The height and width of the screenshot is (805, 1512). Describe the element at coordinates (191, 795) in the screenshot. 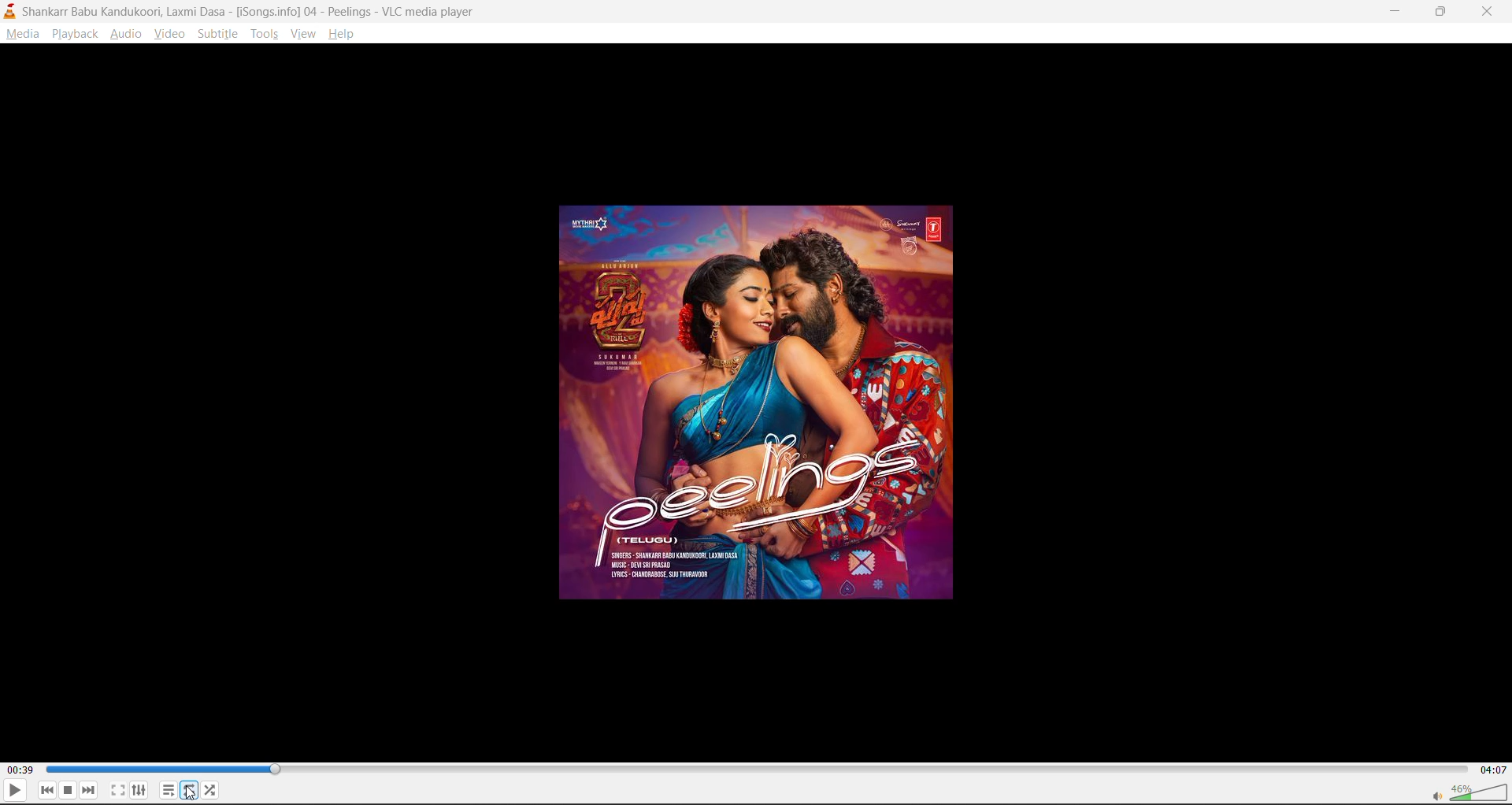

I see `cursor` at that location.